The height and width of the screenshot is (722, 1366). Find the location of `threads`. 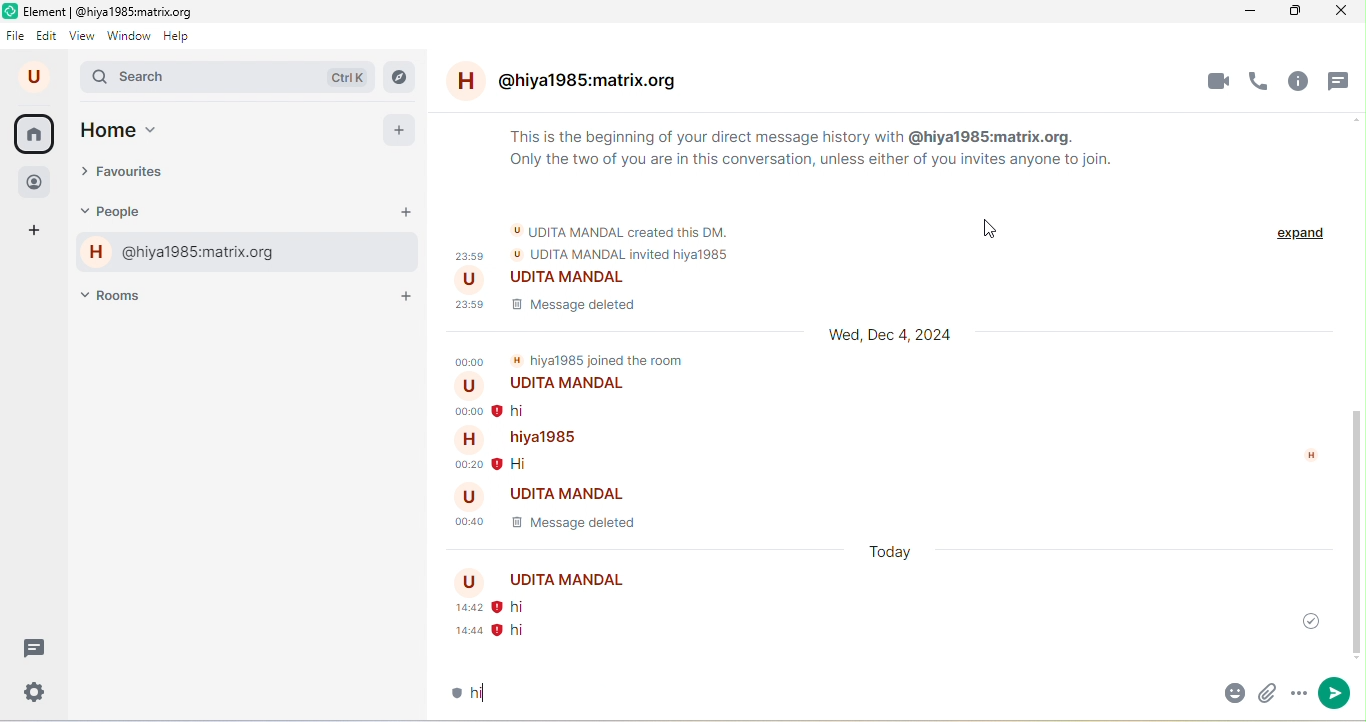

threads is located at coordinates (1342, 82).